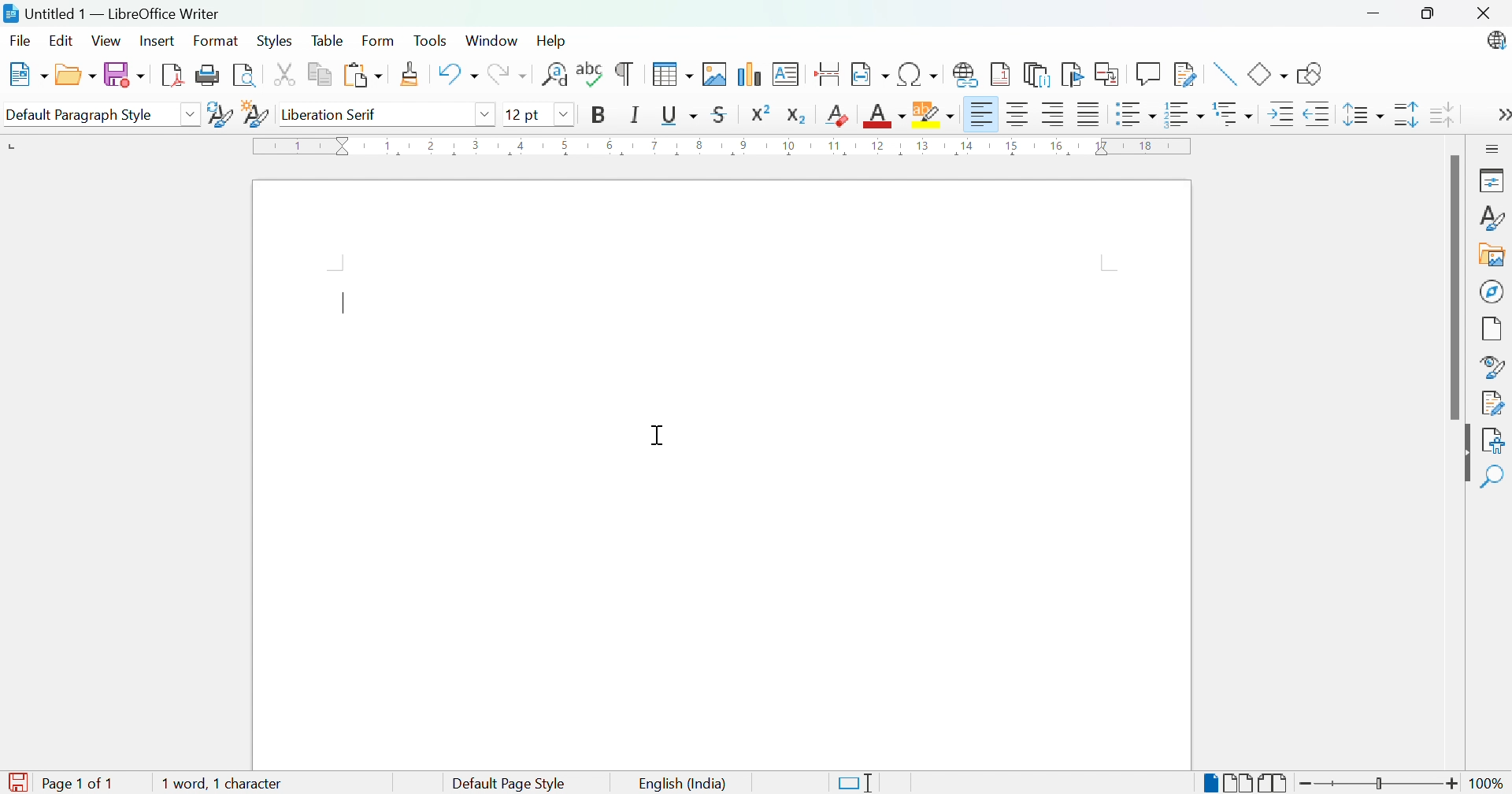  What do you see at coordinates (1280, 115) in the screenshot?
I see `Increase indent` at bounding box center [1280, 115].